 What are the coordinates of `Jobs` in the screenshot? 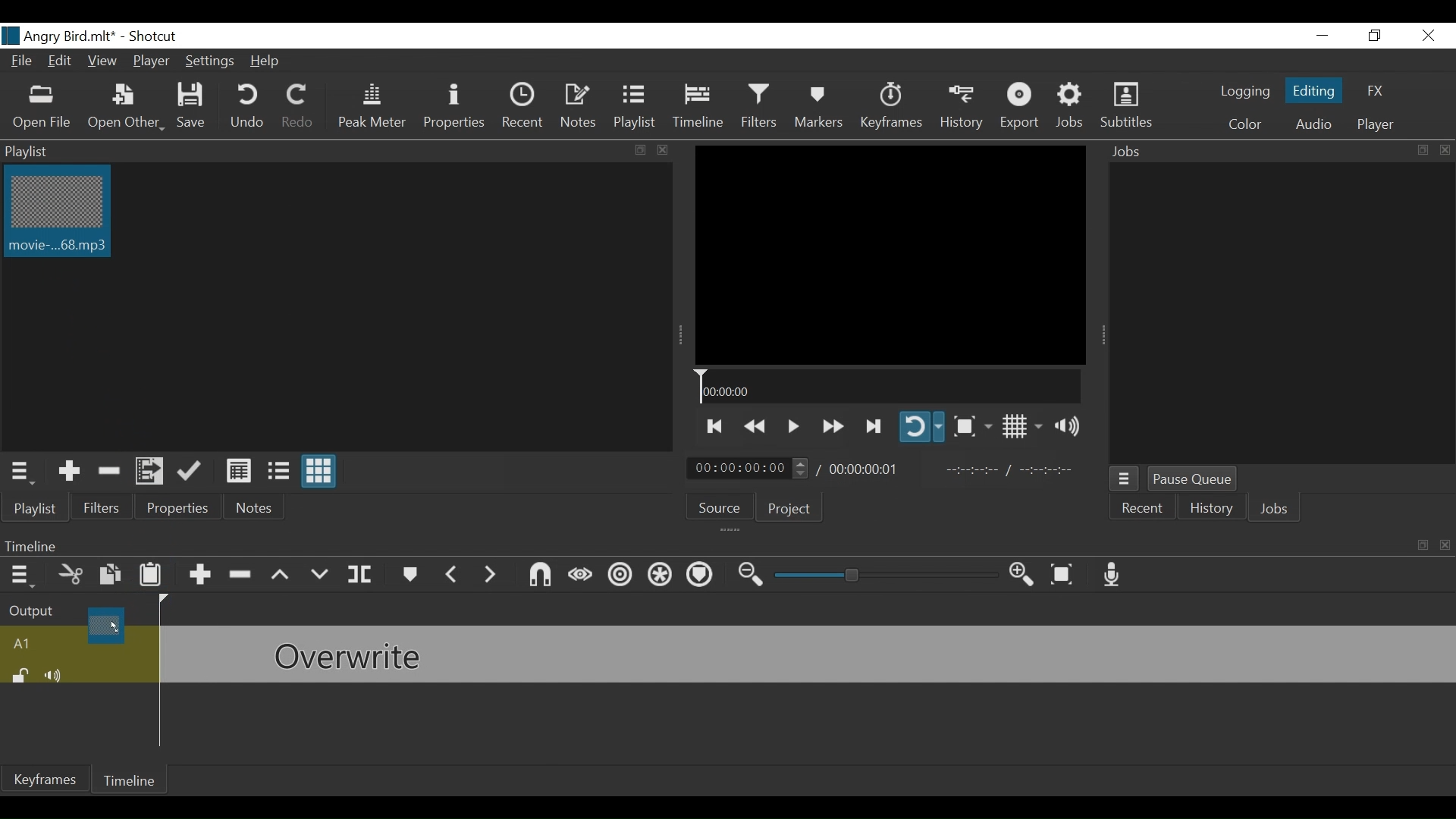 It's located at (1254, 152).